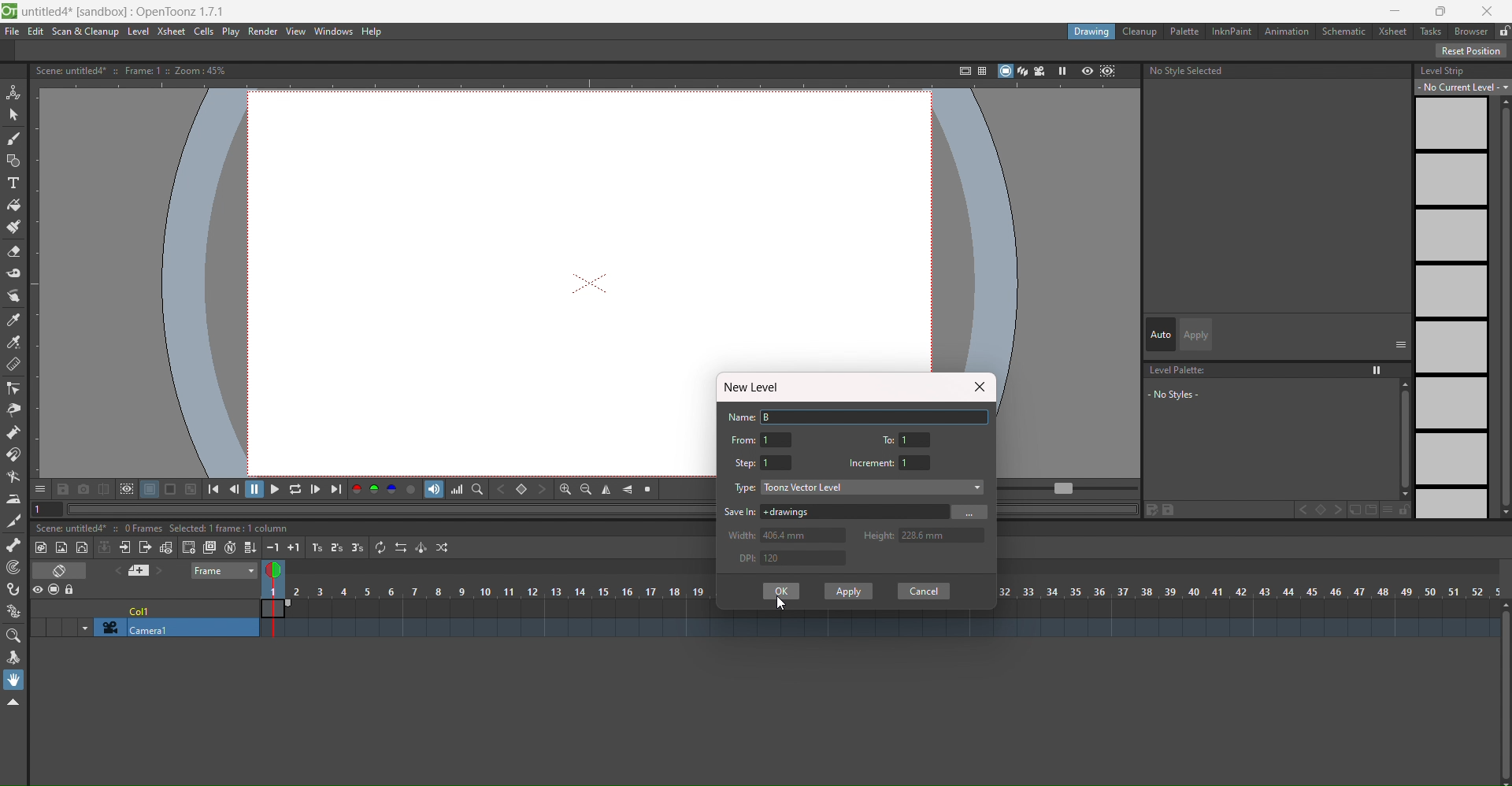  What do you see at coordinates (14, 454) in the screenshot?
I see `magnet tool` at bounding box center [14, 454].